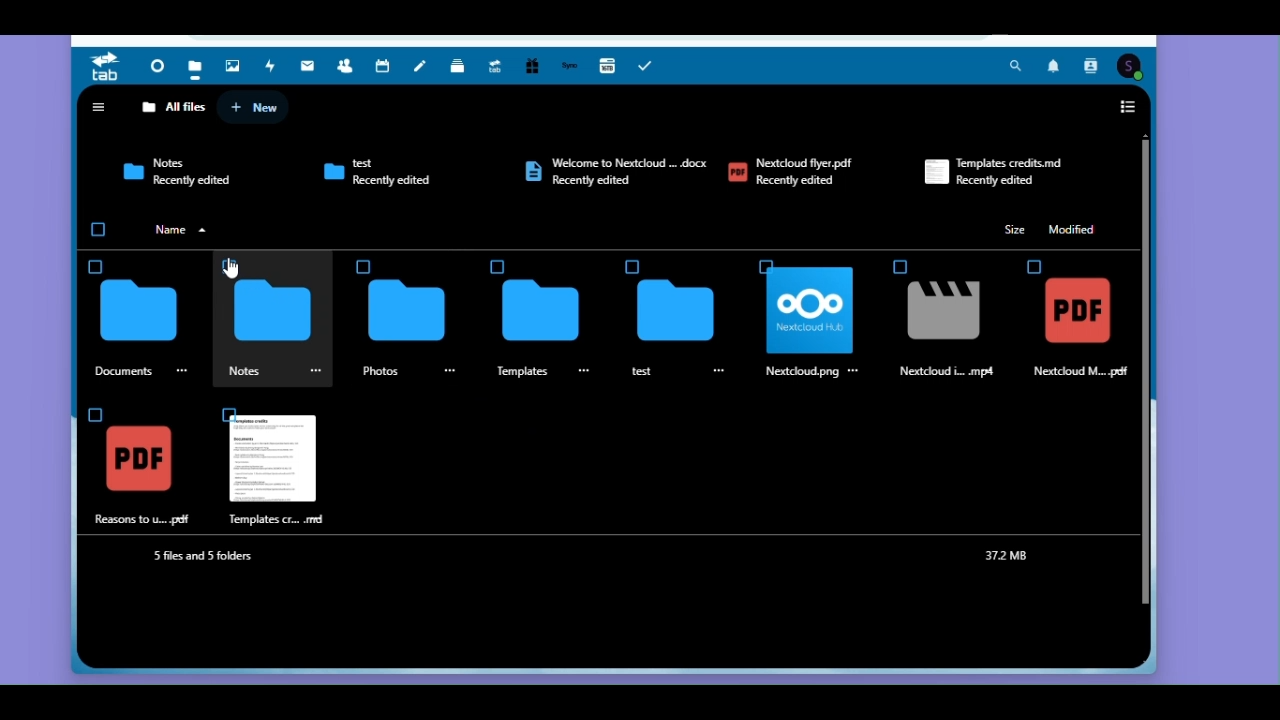 The width and height of the screenshot is (1280, 720). I want to click on Tasks, so click(650, 65).